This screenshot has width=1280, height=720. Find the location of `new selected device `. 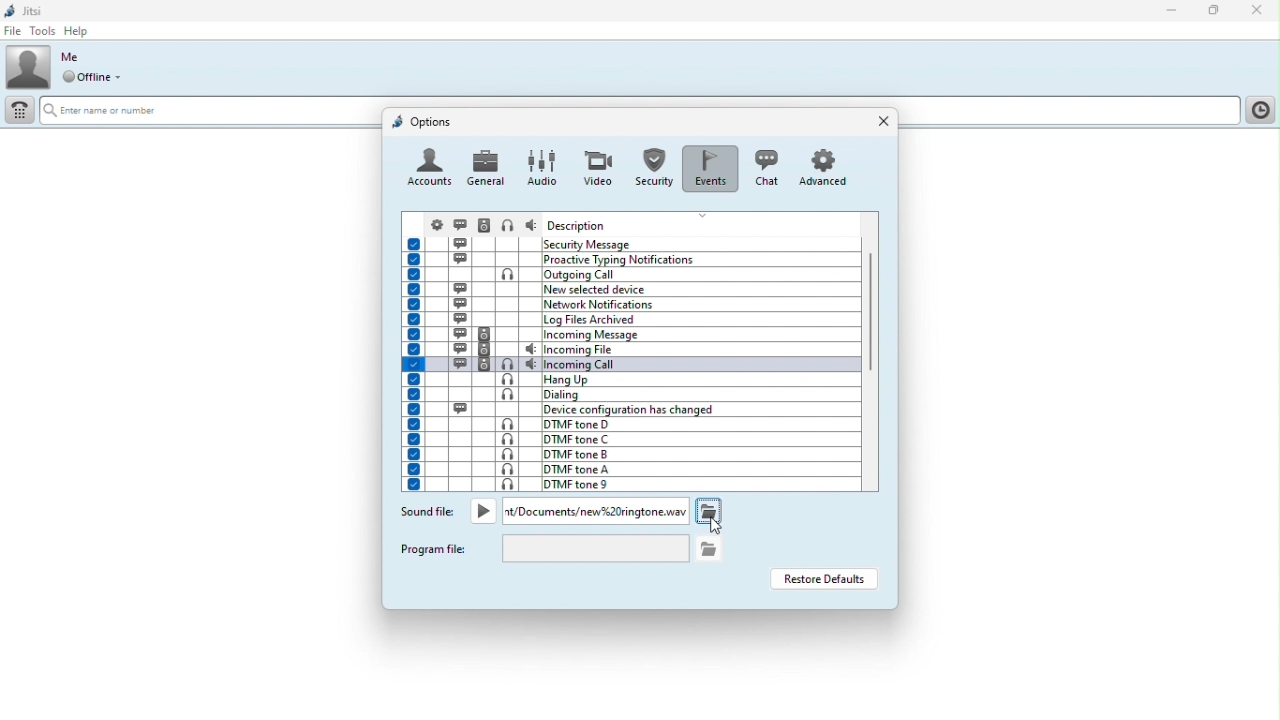

new selected device  is located at coordinates (630, 289).